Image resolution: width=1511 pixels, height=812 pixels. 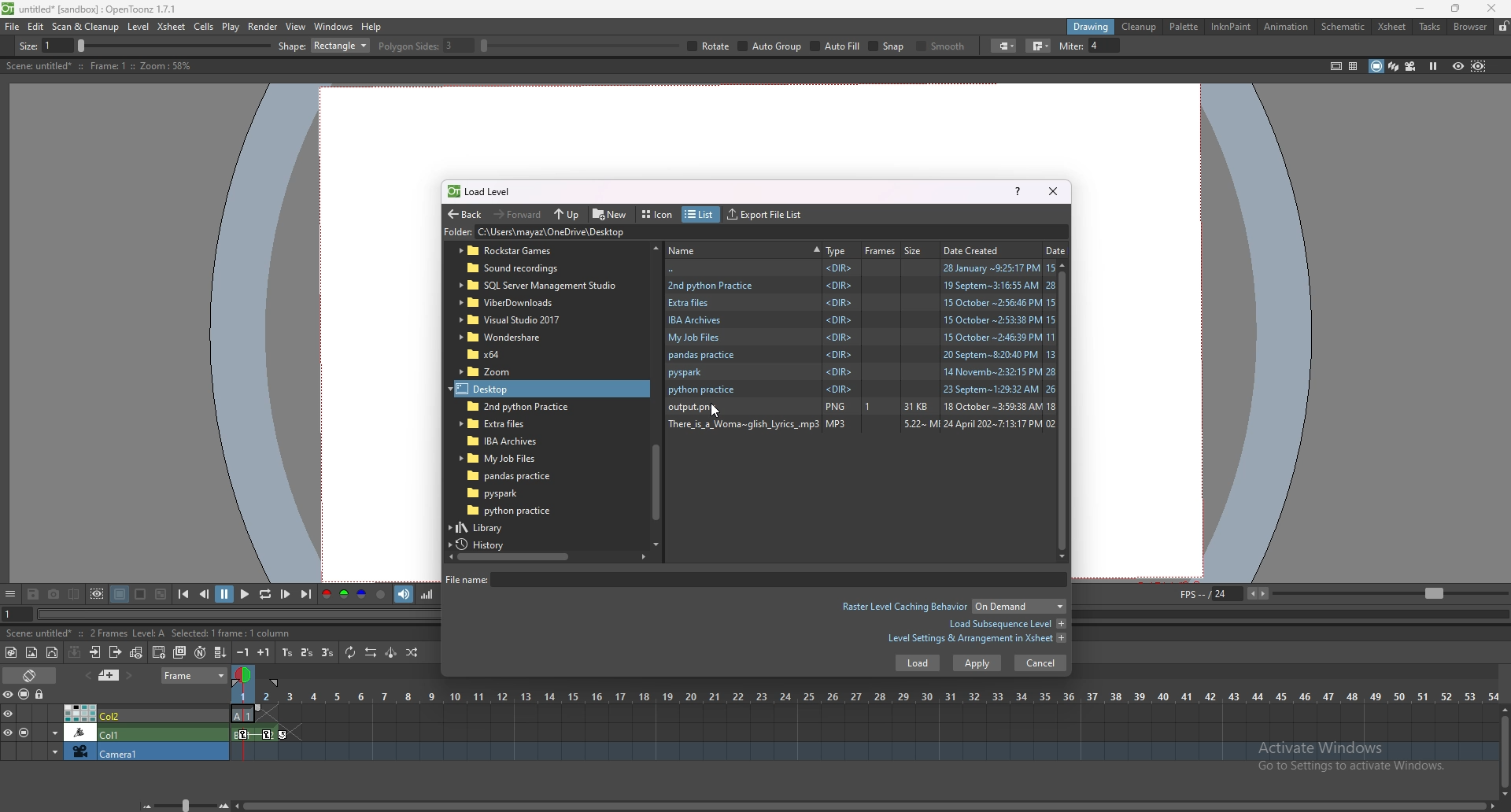 I want to click on pencil mode, so click(x=1150, y=46).